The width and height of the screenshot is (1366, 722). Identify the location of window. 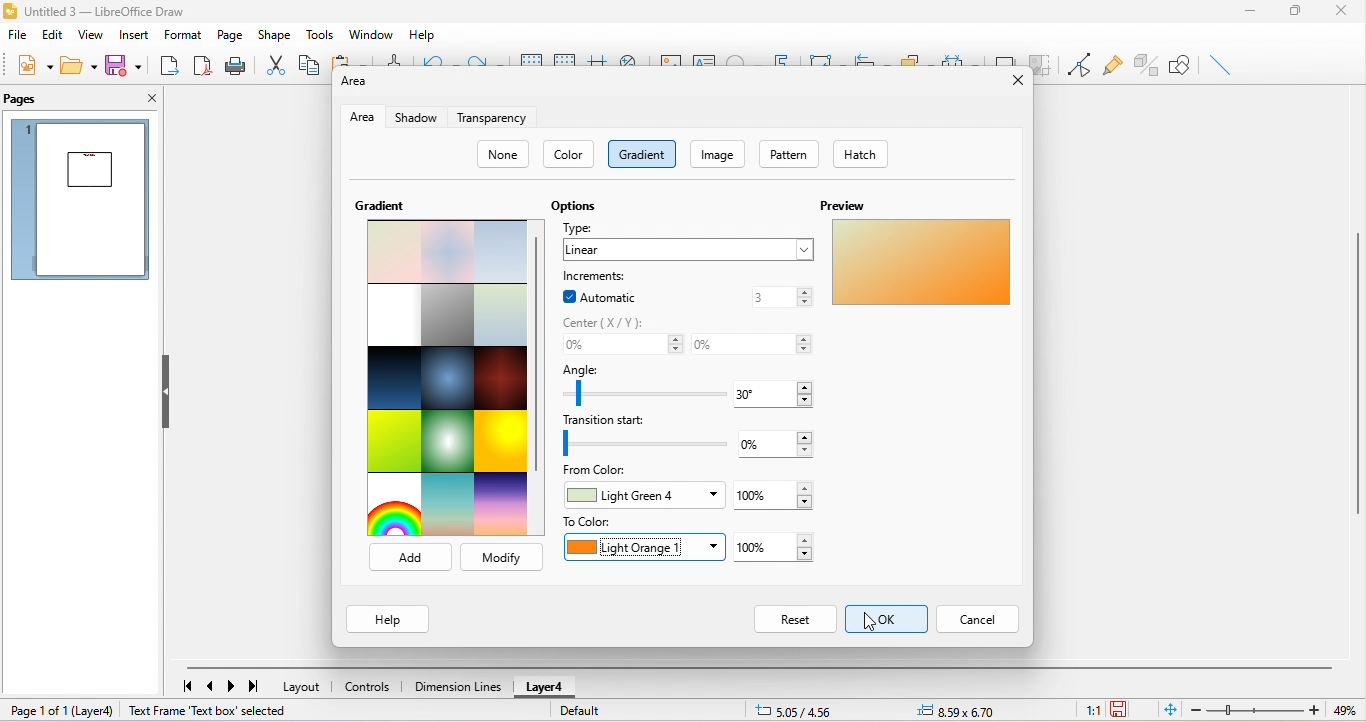
(368, 34).